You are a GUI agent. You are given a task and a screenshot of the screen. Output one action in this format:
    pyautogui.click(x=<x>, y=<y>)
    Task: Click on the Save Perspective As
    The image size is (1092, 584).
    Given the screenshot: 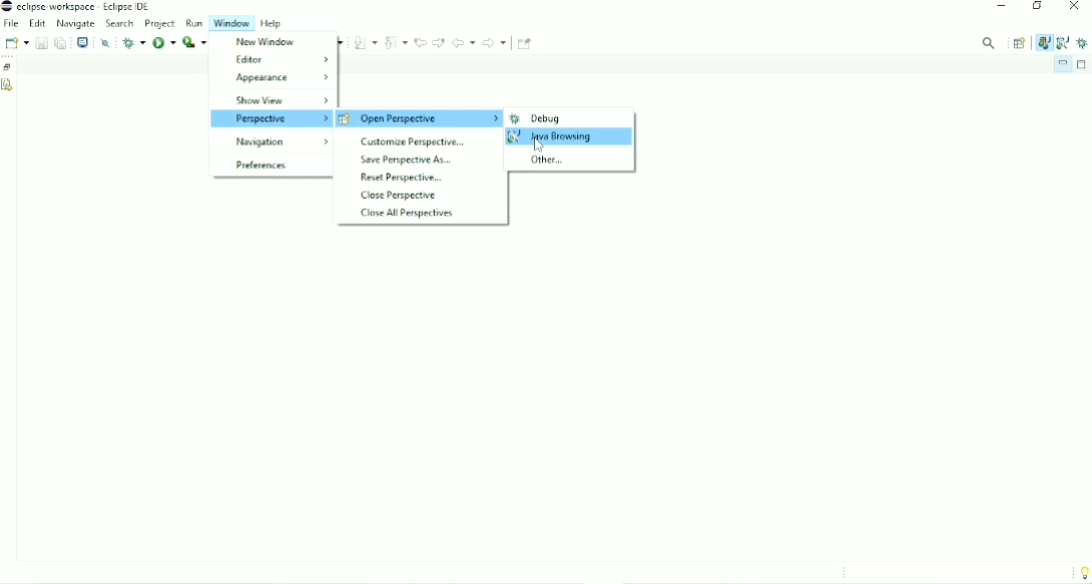 What is the action you would take?
    pyautogui.click(x=406, y=160)
    